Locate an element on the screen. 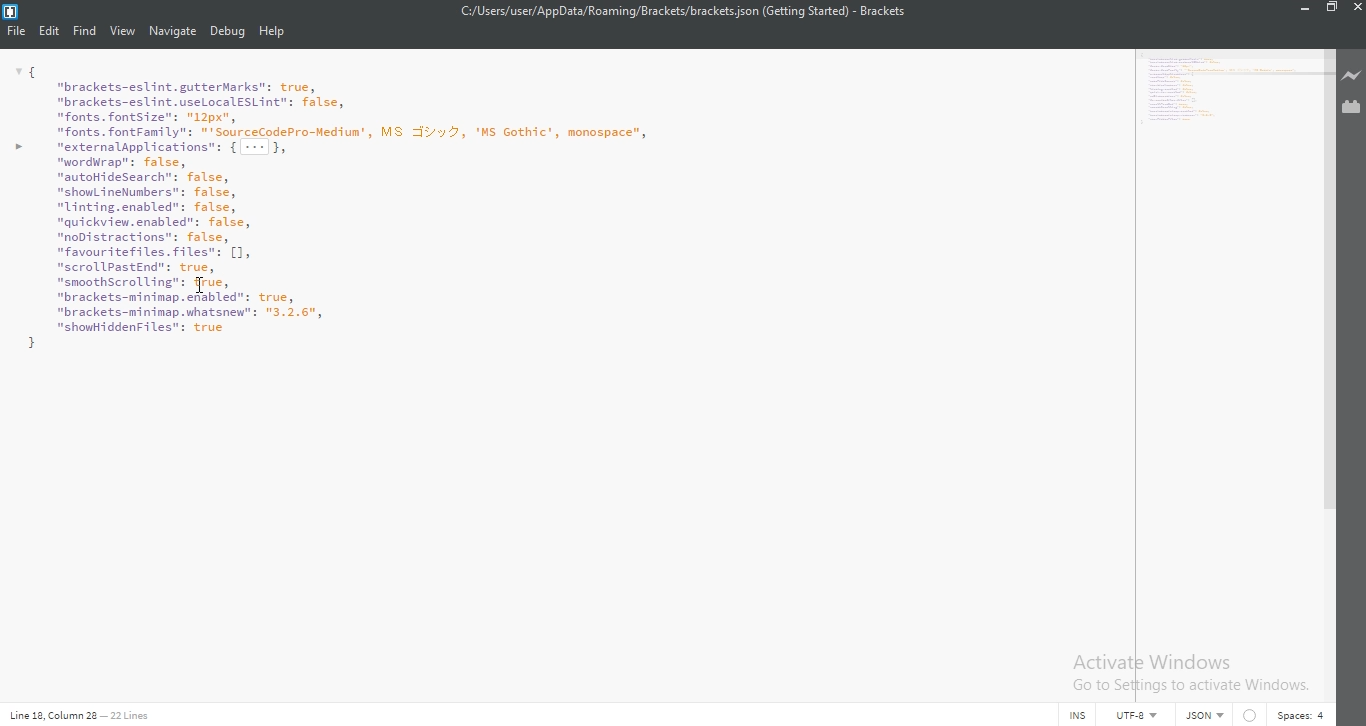 This screenshot has width=1366, height=726. UTF-8 is located at coordinates (1140, 716).